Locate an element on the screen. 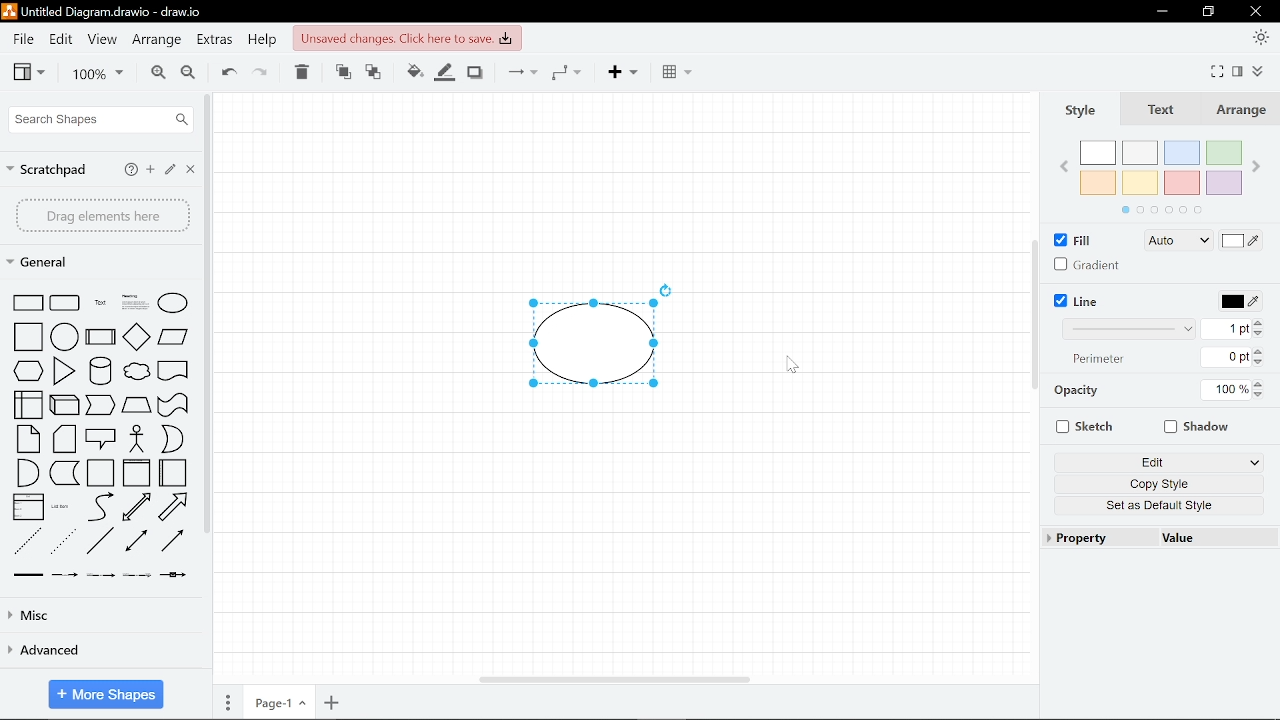 This screenshot has width=1280, height=720. list item is located at coordinates (61, 506).